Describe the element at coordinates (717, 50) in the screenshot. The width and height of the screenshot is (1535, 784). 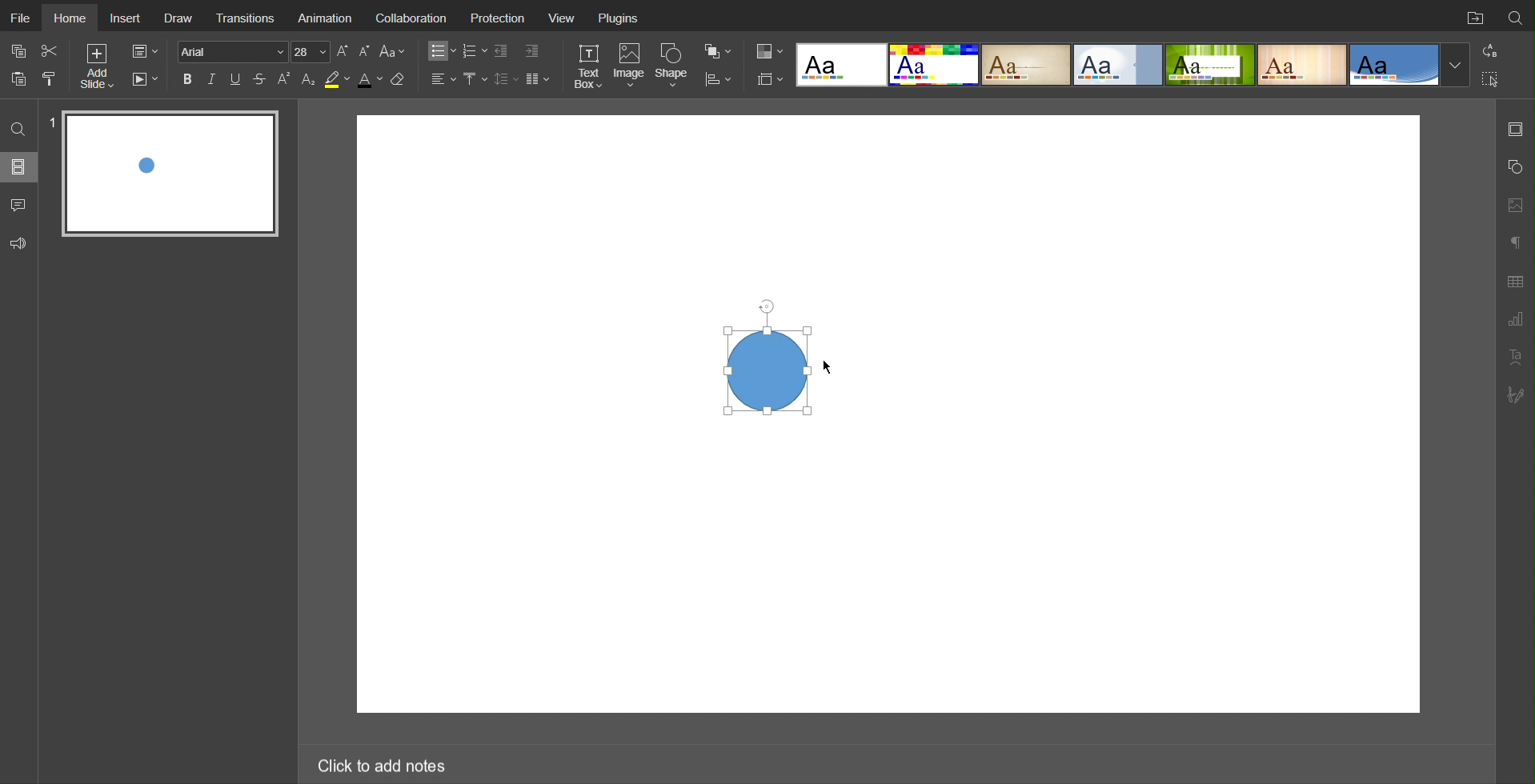
I see `Arrangement` at that location.